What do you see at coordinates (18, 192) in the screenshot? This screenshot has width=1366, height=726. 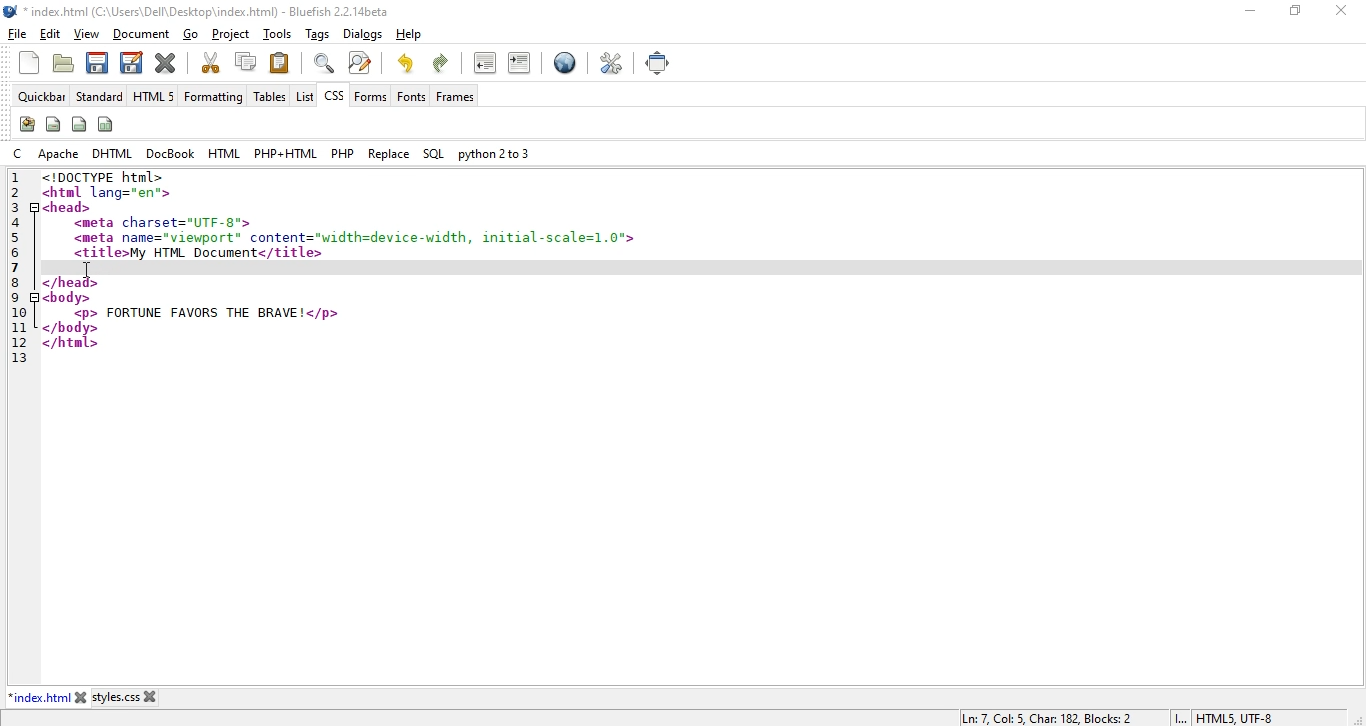 I see `2` at bounding box center [18, 192].